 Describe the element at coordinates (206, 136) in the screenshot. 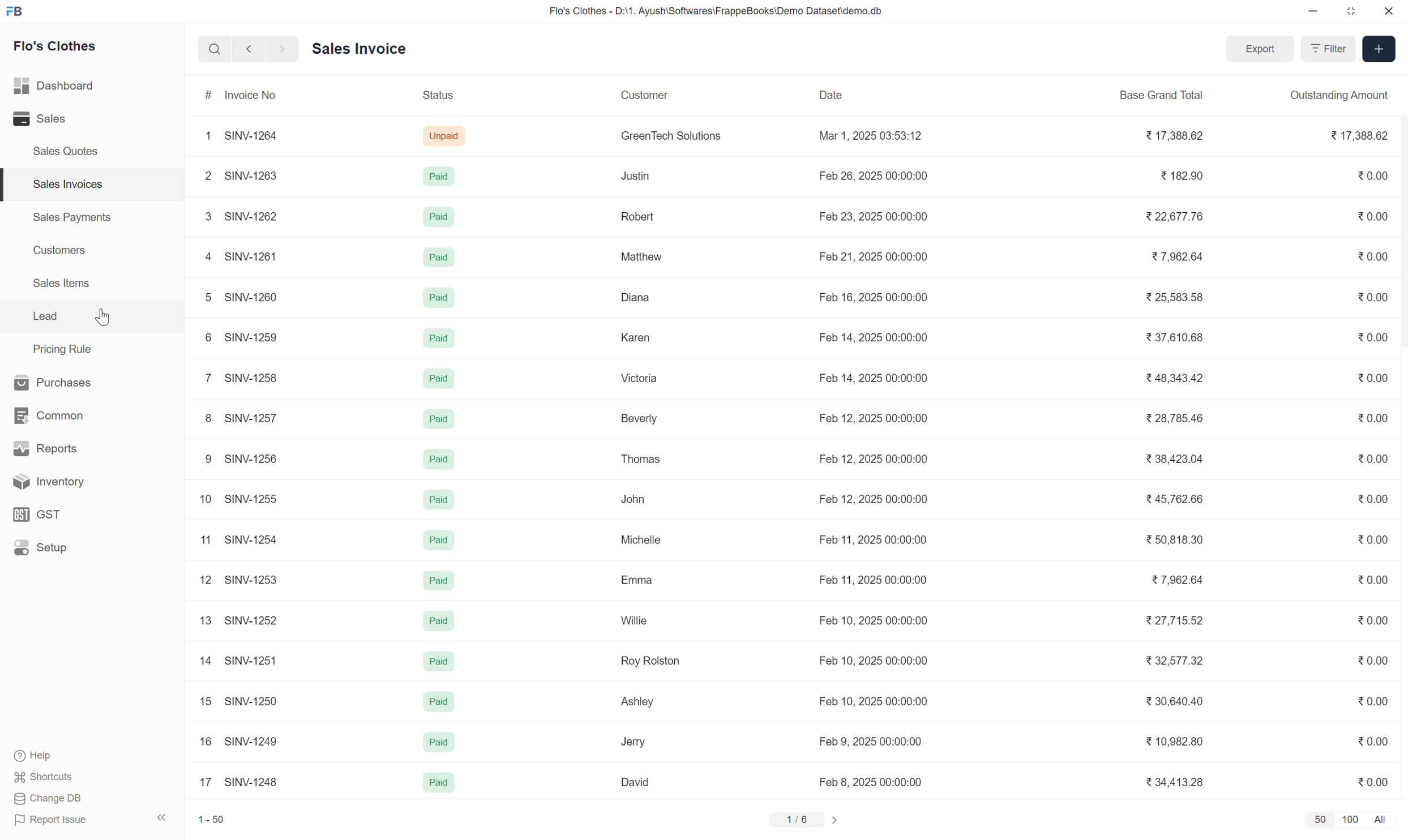

I see `1` at that location.